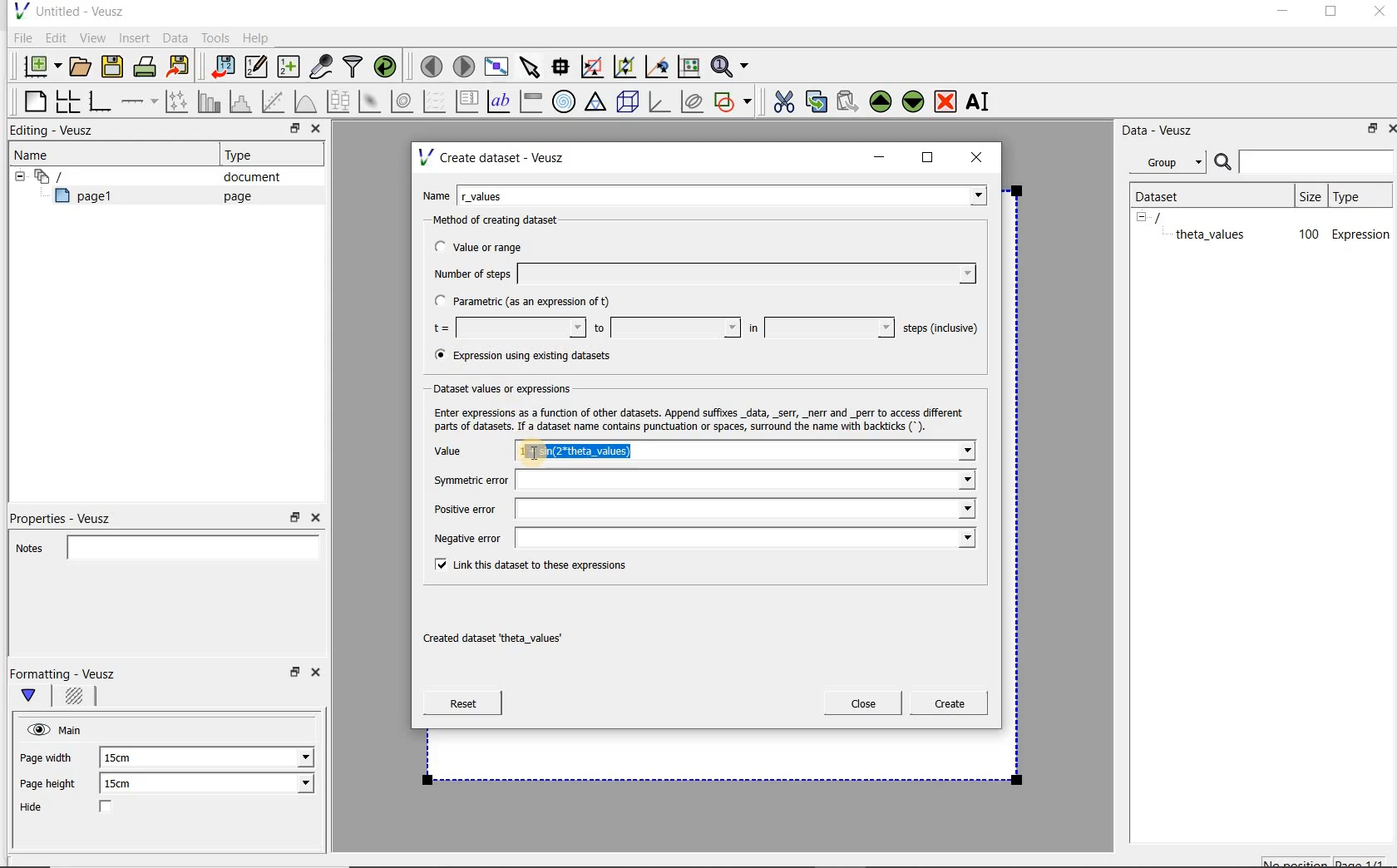 The image size is (1397, 868). Describe the element at coordinates (629, 103) in the screenshot. I see `3d scene` at that location.